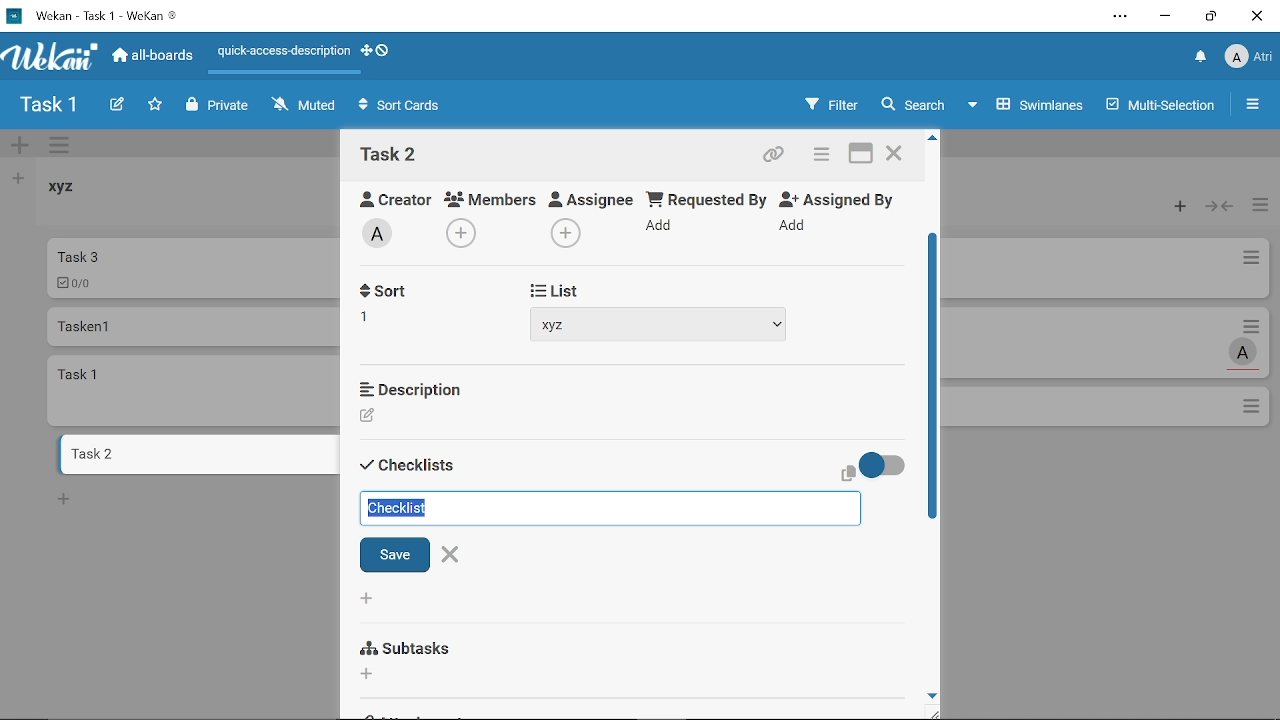  I want to click on Card named "Tasken 1", so click(192, 326).